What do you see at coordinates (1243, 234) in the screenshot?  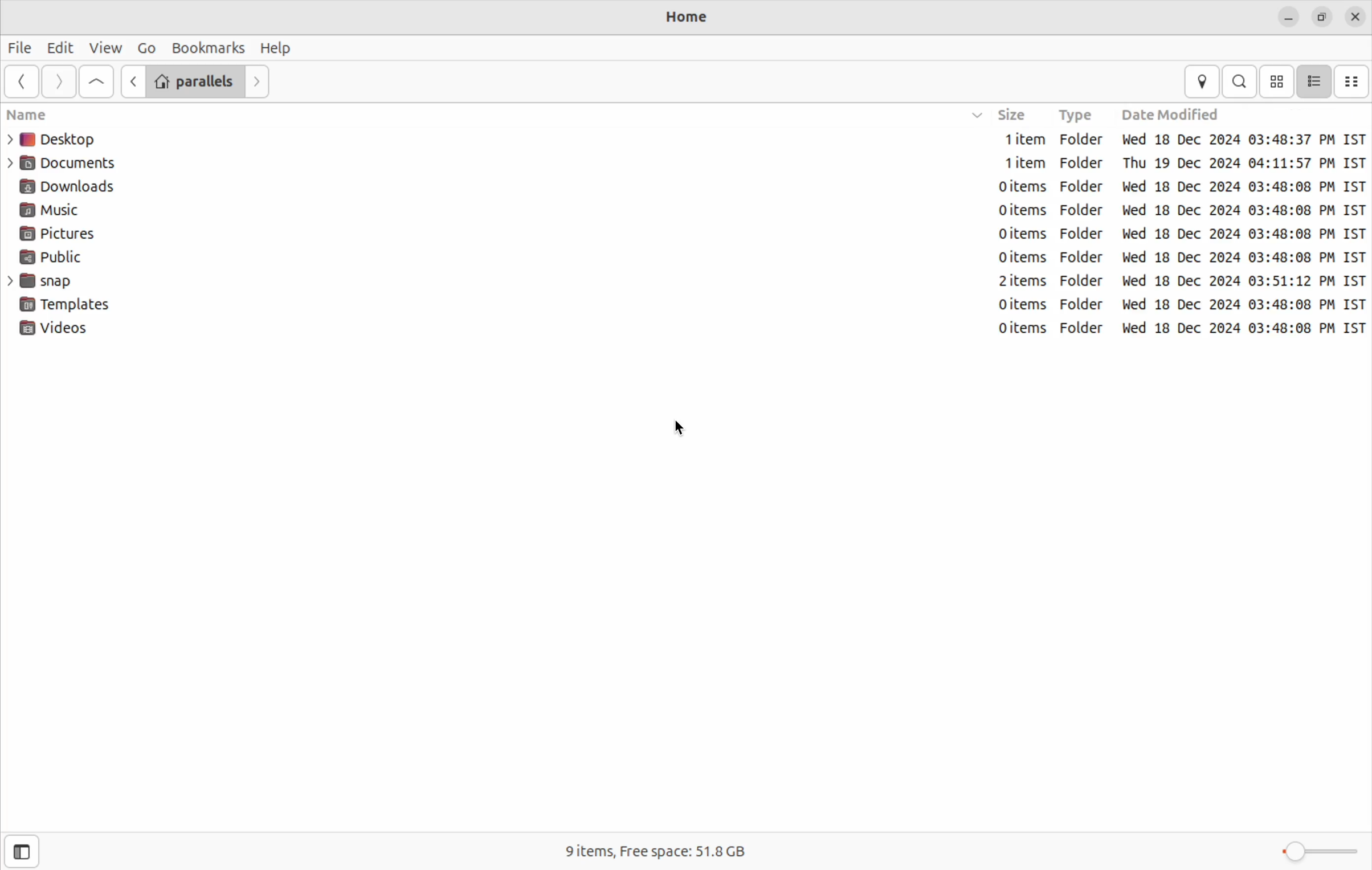 I see `Wed 18 Dec 2024 03:48:08 PM IST` at bounding box center [1243, 234].